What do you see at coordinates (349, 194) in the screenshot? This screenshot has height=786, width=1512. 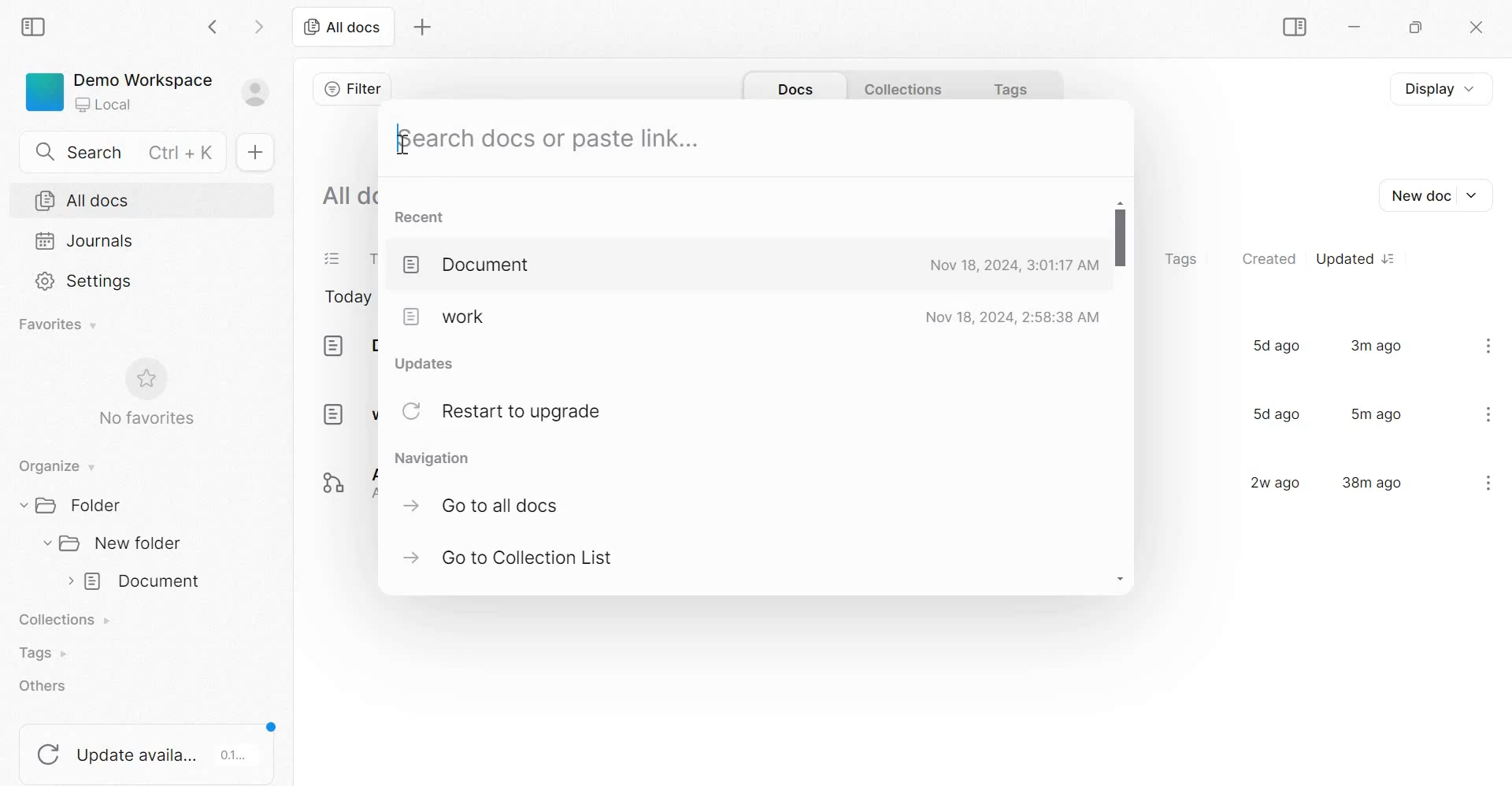 I see `All docs` at bounding box center [349, 194].